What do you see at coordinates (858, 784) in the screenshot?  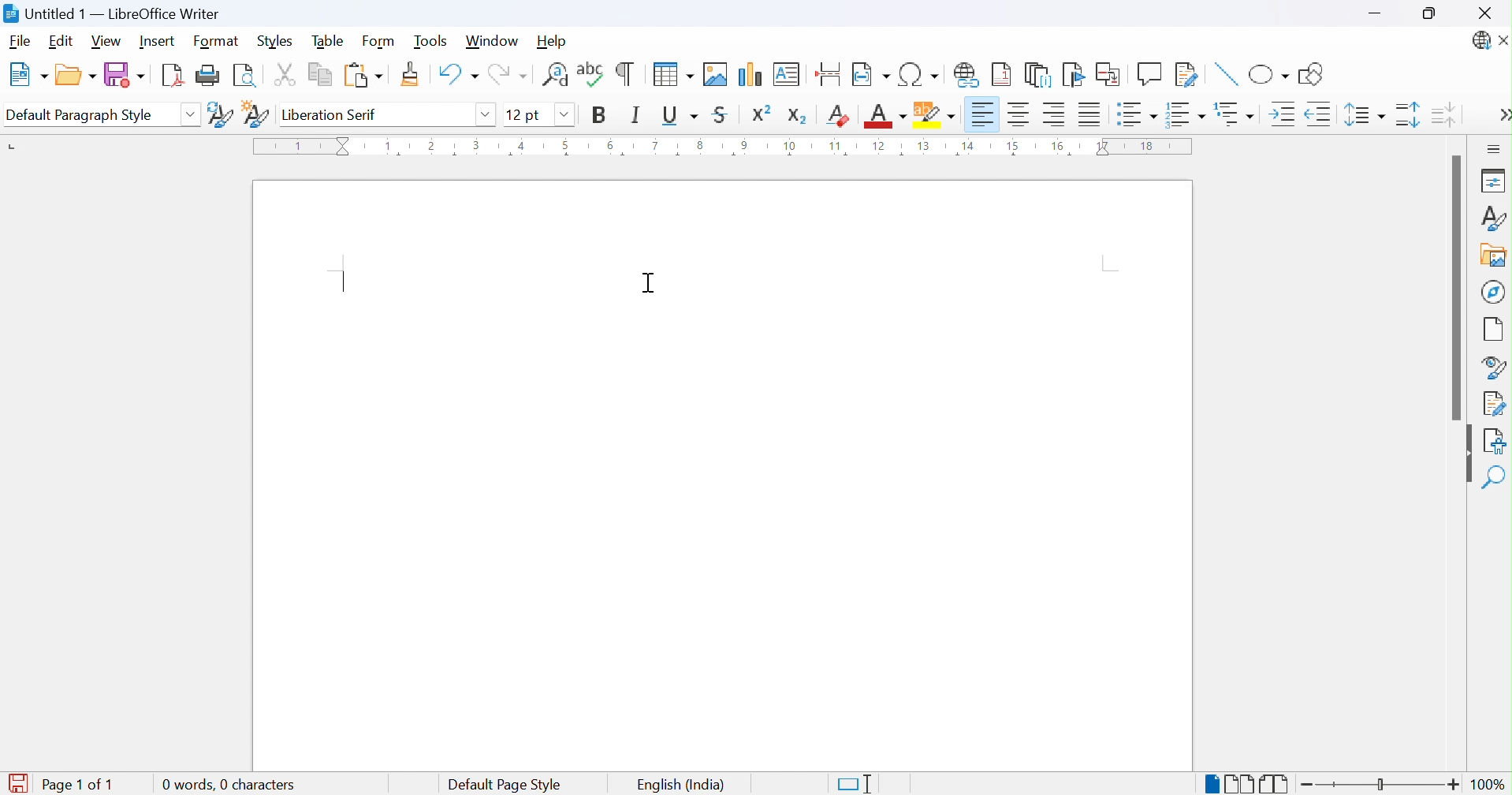 I see `Standard selection. Click to change selection mode.` at bounding box center [858, 784].